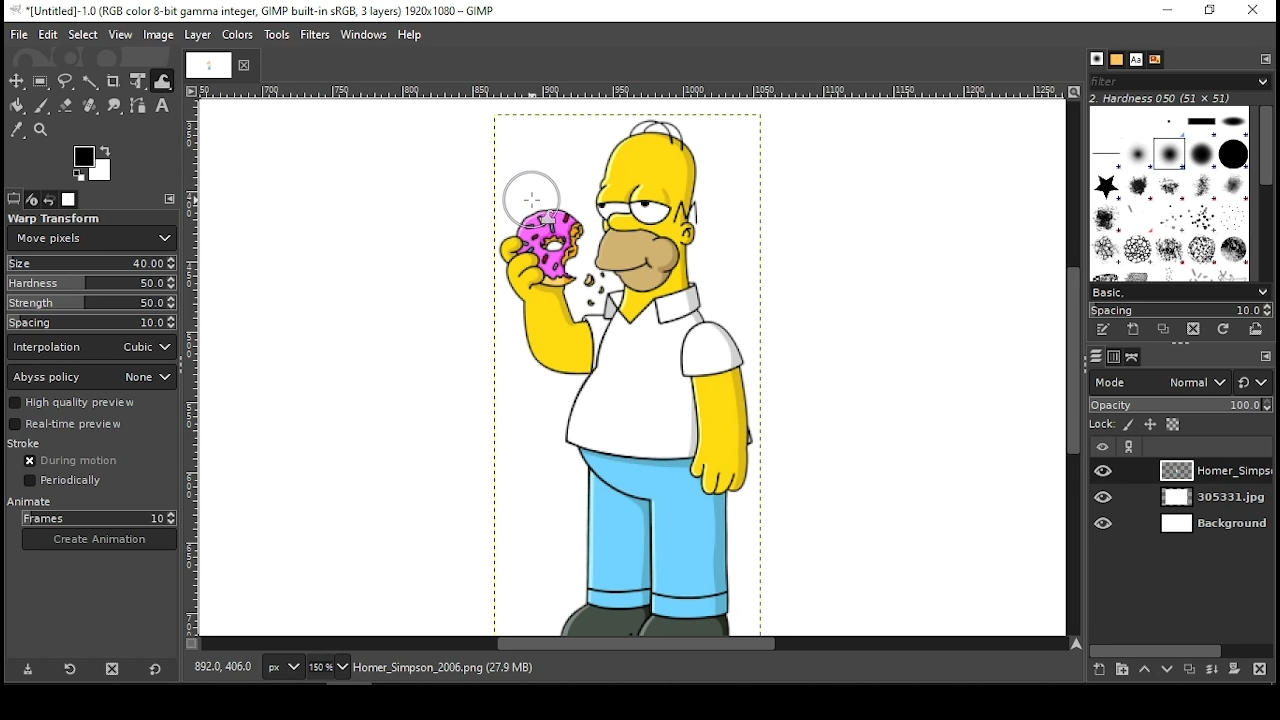 This screenshot has width=1280, height=720. I want to click on layer 2, so click(1215, 498).